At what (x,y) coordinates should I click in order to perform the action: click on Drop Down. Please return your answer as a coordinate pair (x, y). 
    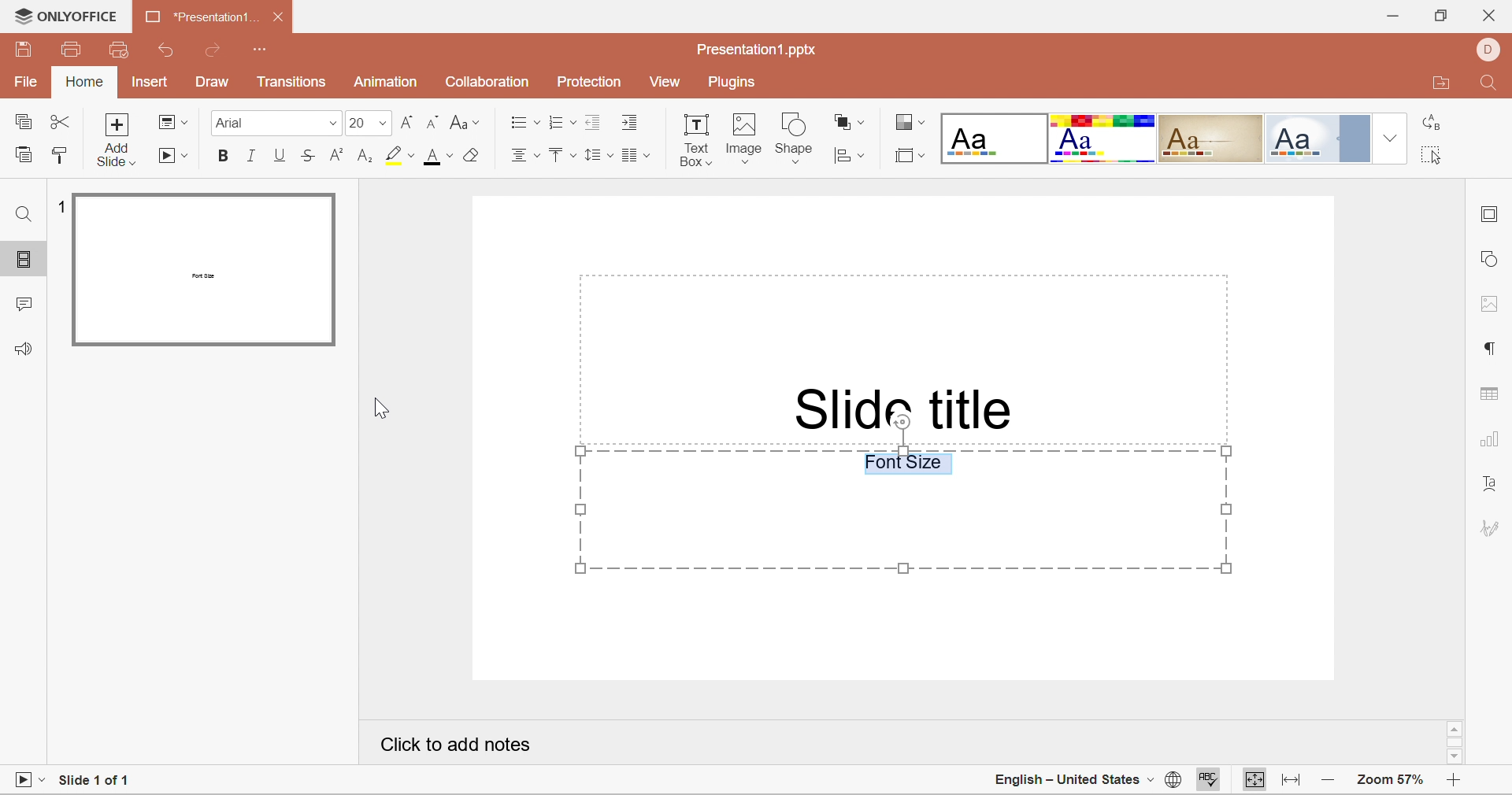
    Looking at the image, I should click on (333, 128).